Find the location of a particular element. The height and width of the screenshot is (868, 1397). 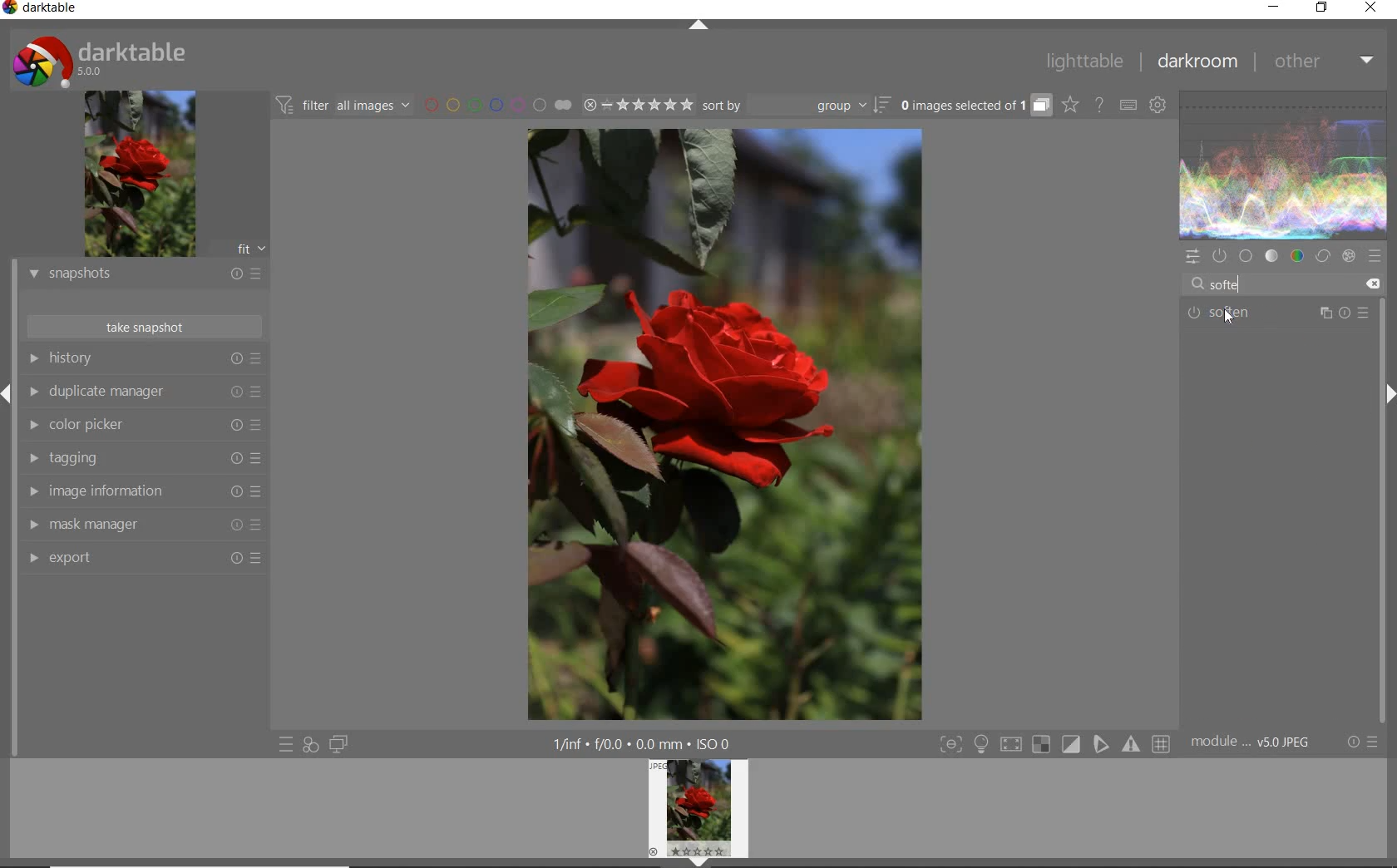

Softe is located at coordinates (1232, 284).